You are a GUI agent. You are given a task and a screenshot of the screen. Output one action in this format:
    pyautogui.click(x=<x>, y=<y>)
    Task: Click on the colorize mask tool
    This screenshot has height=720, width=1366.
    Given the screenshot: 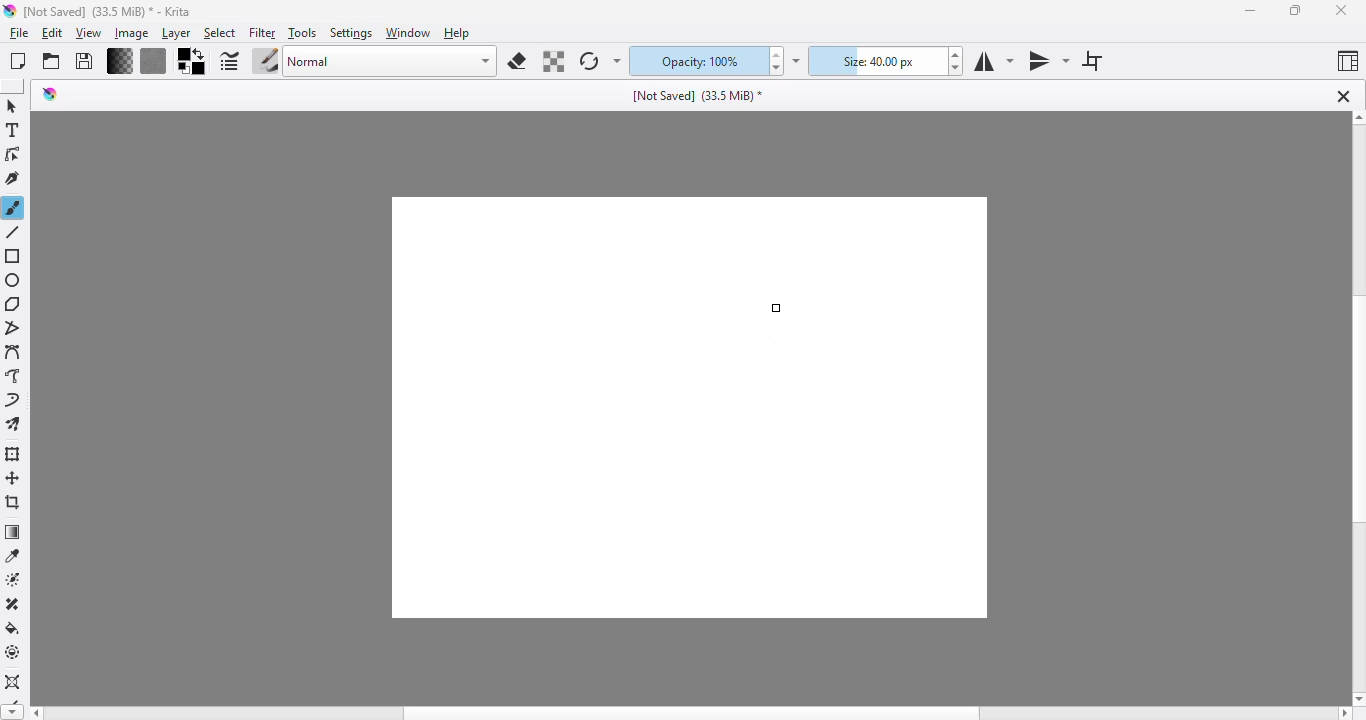 What is the action you would take?
    pyautogui.click(x=15, y=580)
    